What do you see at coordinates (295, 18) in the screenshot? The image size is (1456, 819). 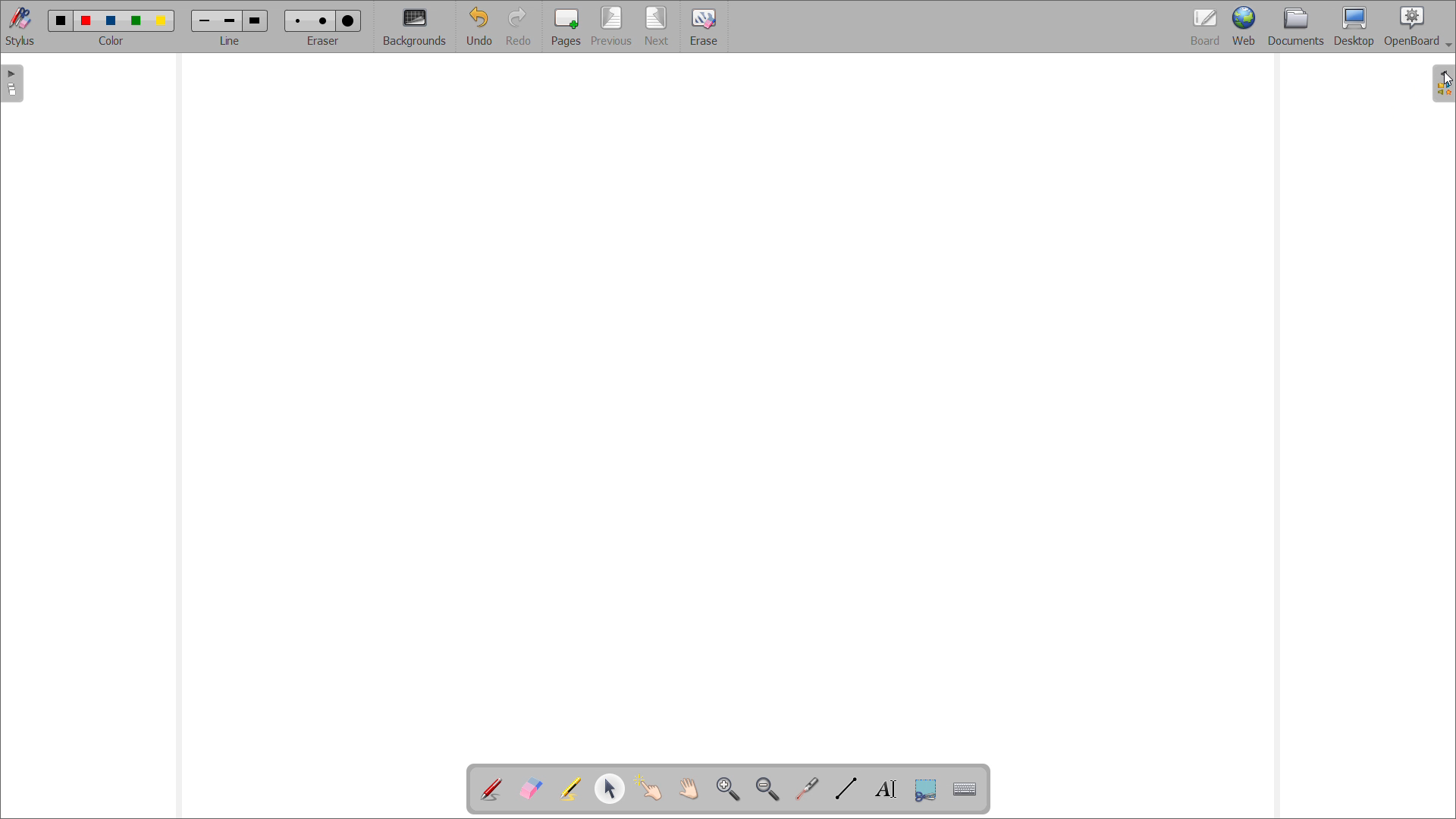 I see `Small erase` at bounding box center [295, 18].